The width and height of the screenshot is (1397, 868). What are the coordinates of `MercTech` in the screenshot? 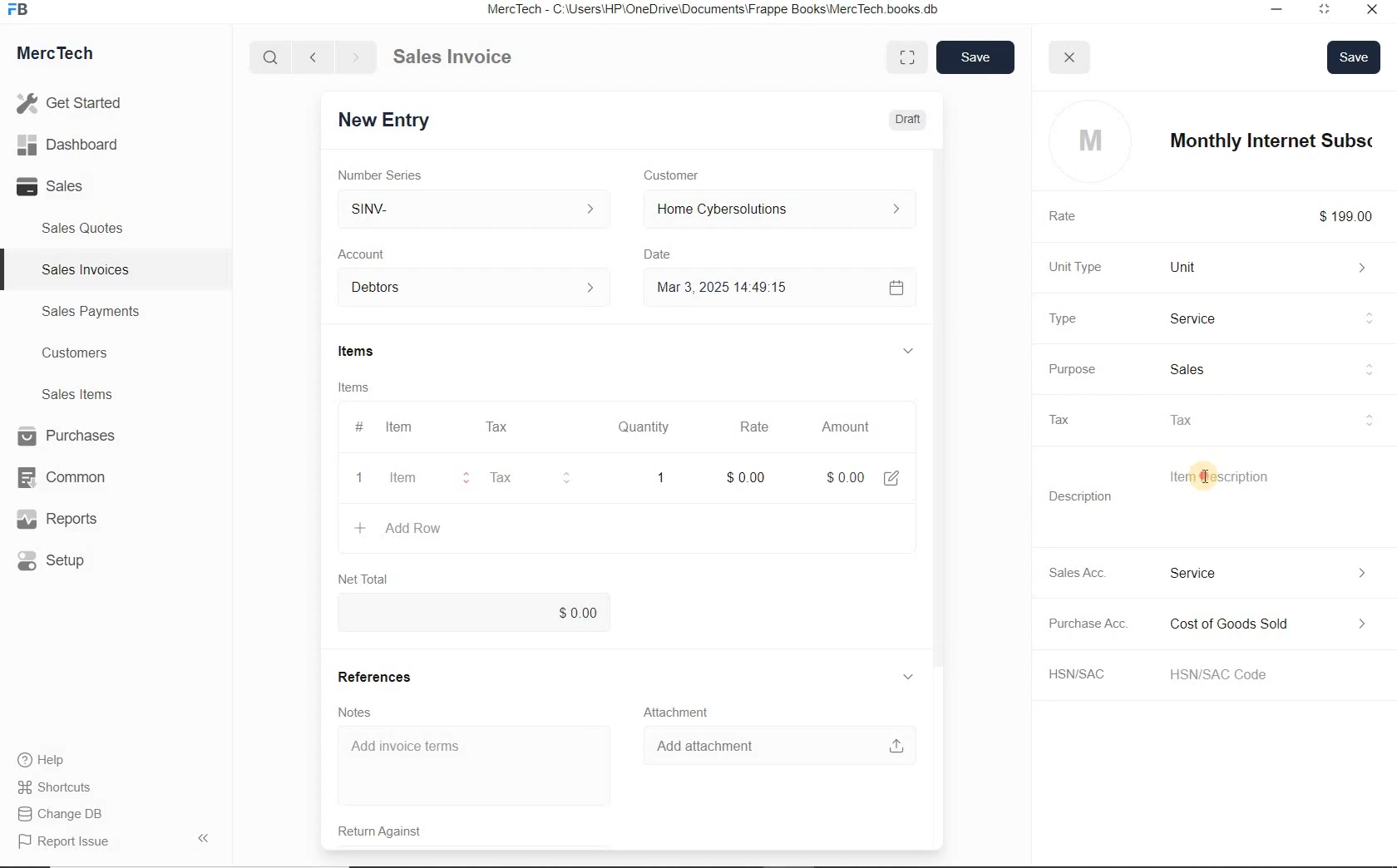 It's located at (63, 57).